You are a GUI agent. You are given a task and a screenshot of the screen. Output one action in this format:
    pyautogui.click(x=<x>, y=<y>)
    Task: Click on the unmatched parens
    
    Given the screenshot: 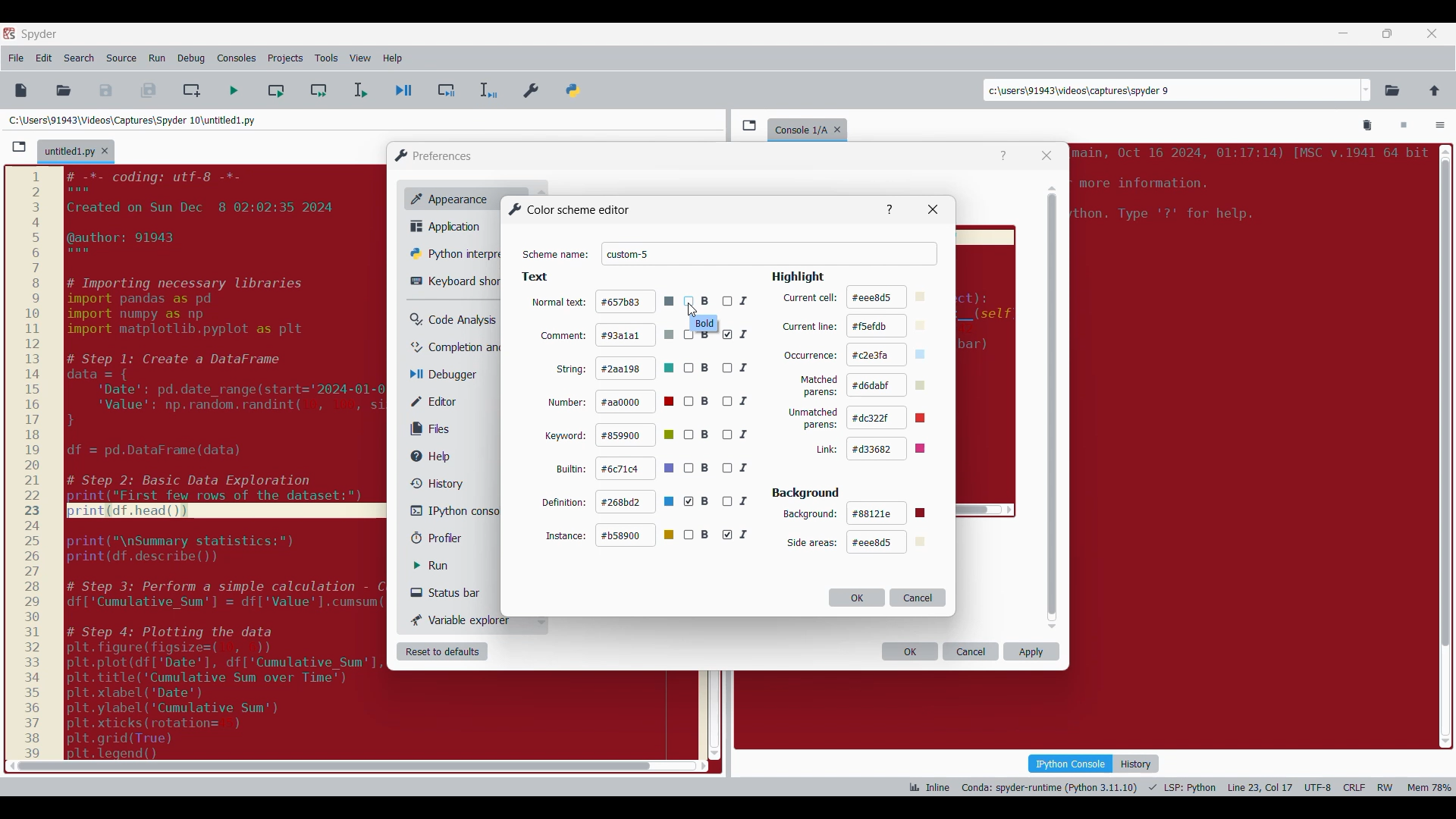 What is the action you would take?
    pyautogui.click(x=814, y=419)
    